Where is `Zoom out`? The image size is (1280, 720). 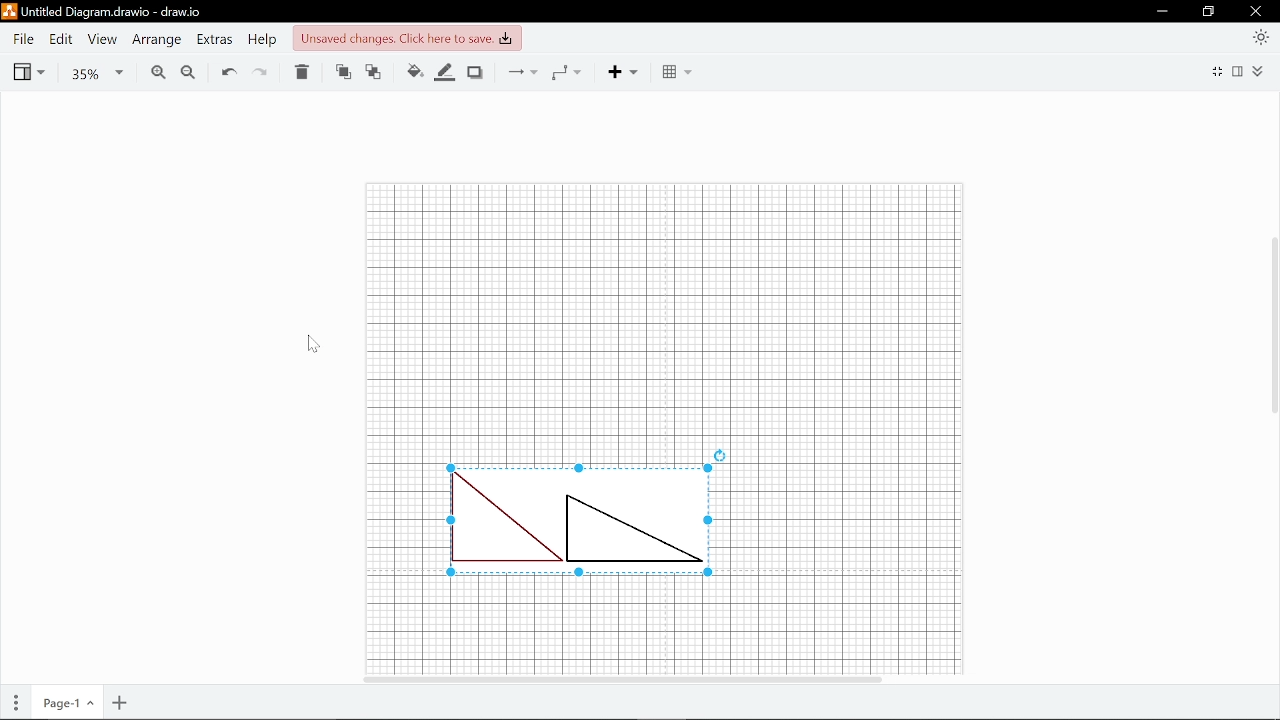
Zoom out is located at coordinates (188, 74).